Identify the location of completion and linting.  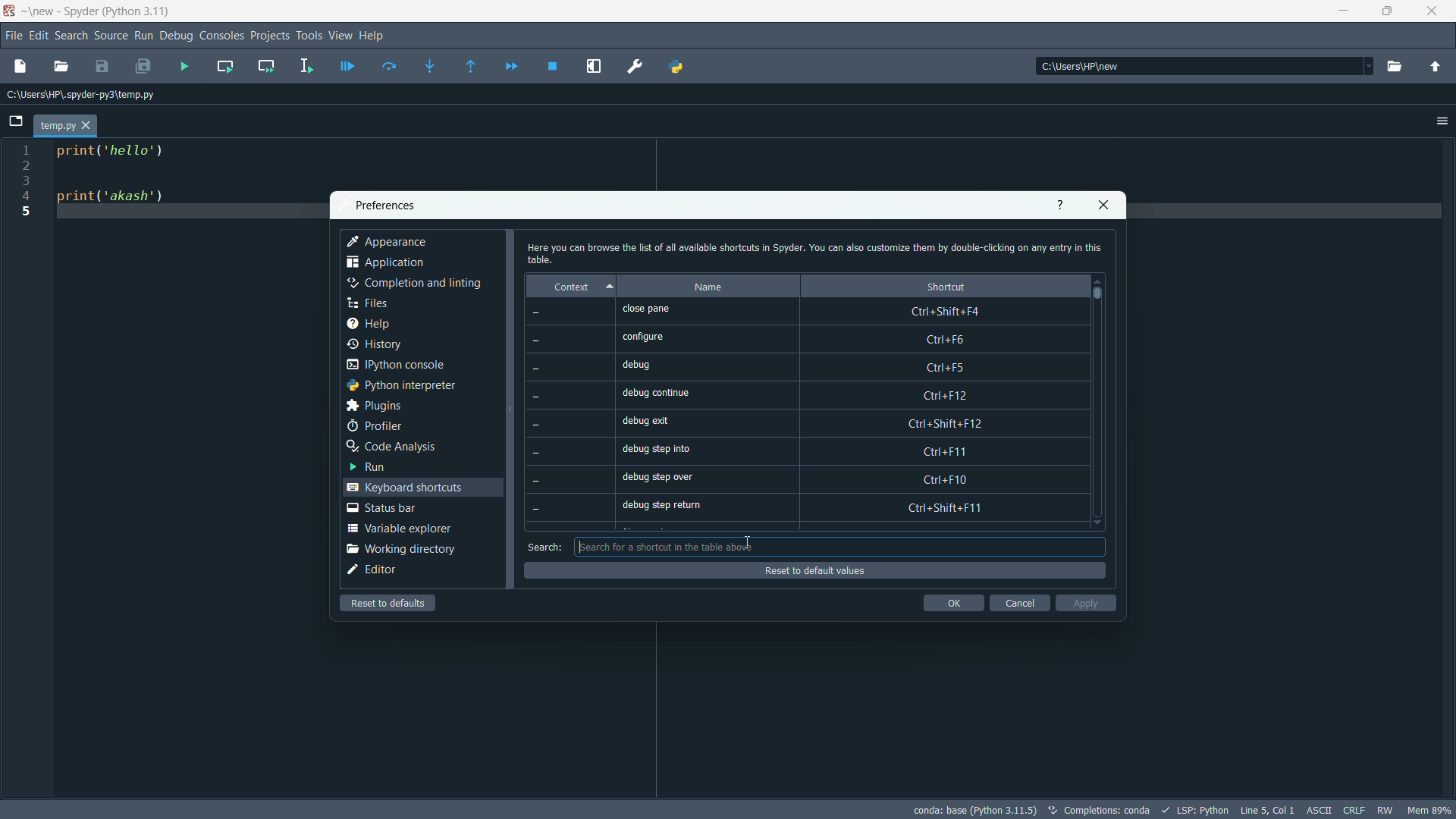
(416, 284).